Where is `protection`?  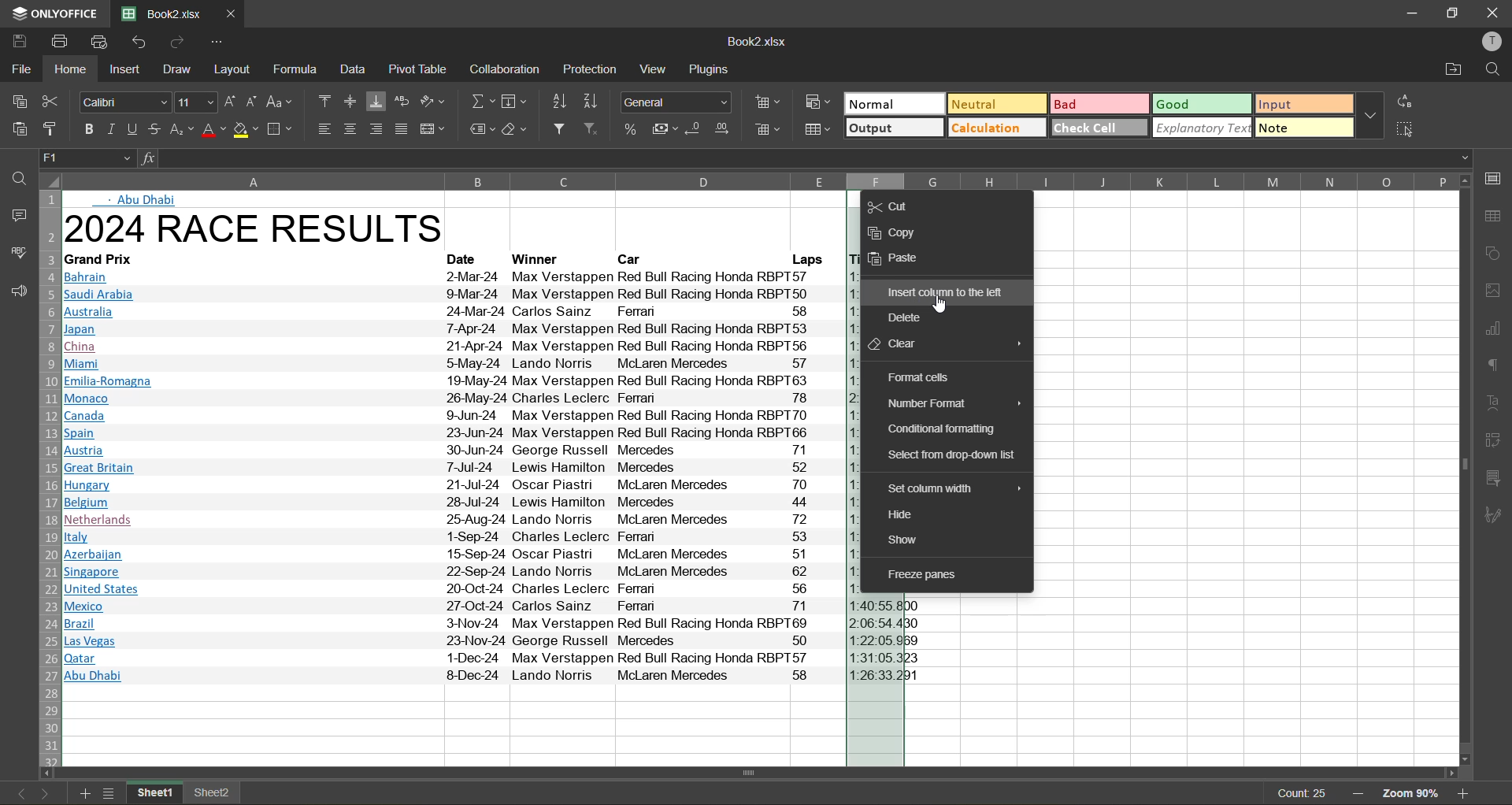 protection is located at coordinates (590, 69).